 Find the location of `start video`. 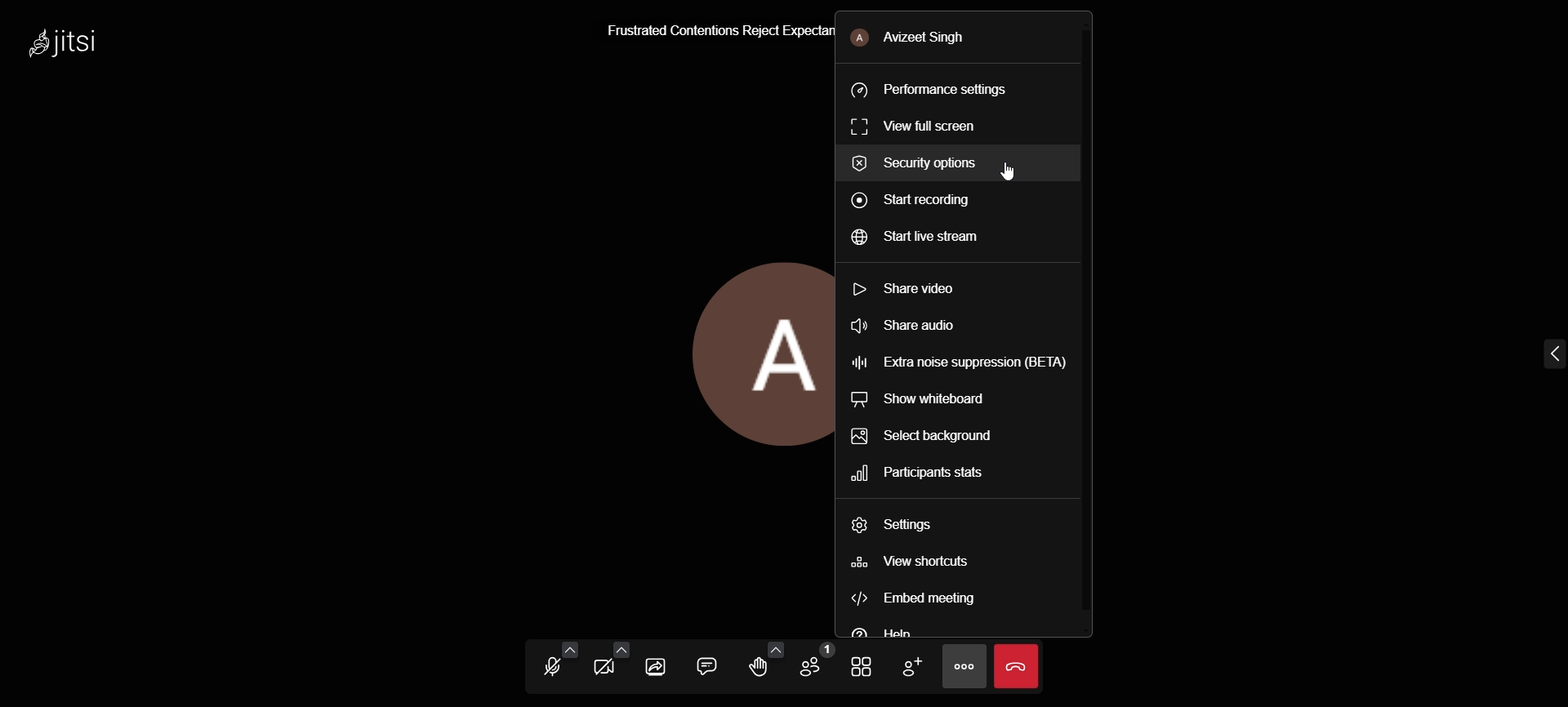

start video is located at coordinates (602, 665).